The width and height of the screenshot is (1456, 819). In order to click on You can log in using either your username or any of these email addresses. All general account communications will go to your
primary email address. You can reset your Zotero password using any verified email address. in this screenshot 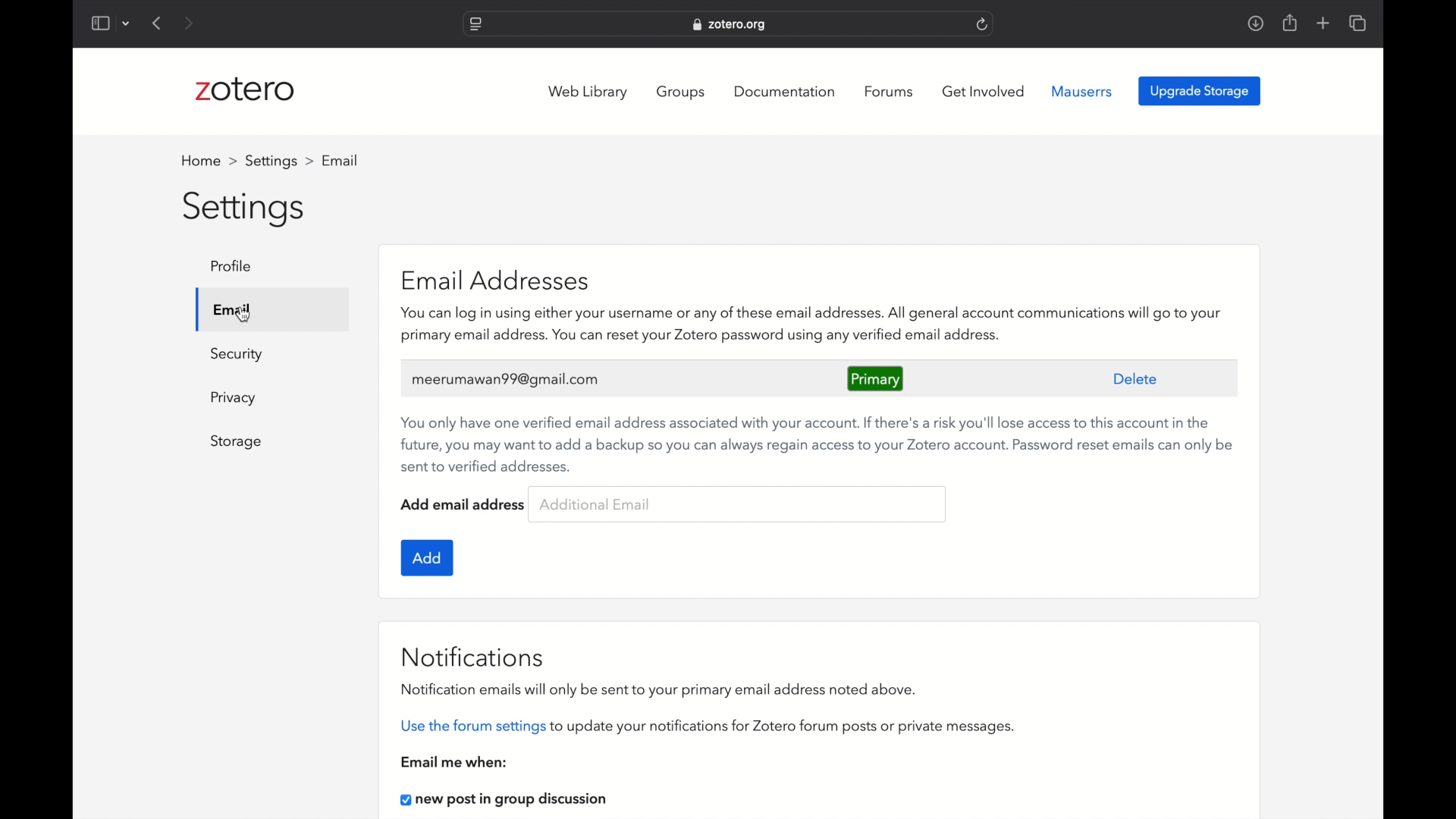, I will do `click(818, 327)`.